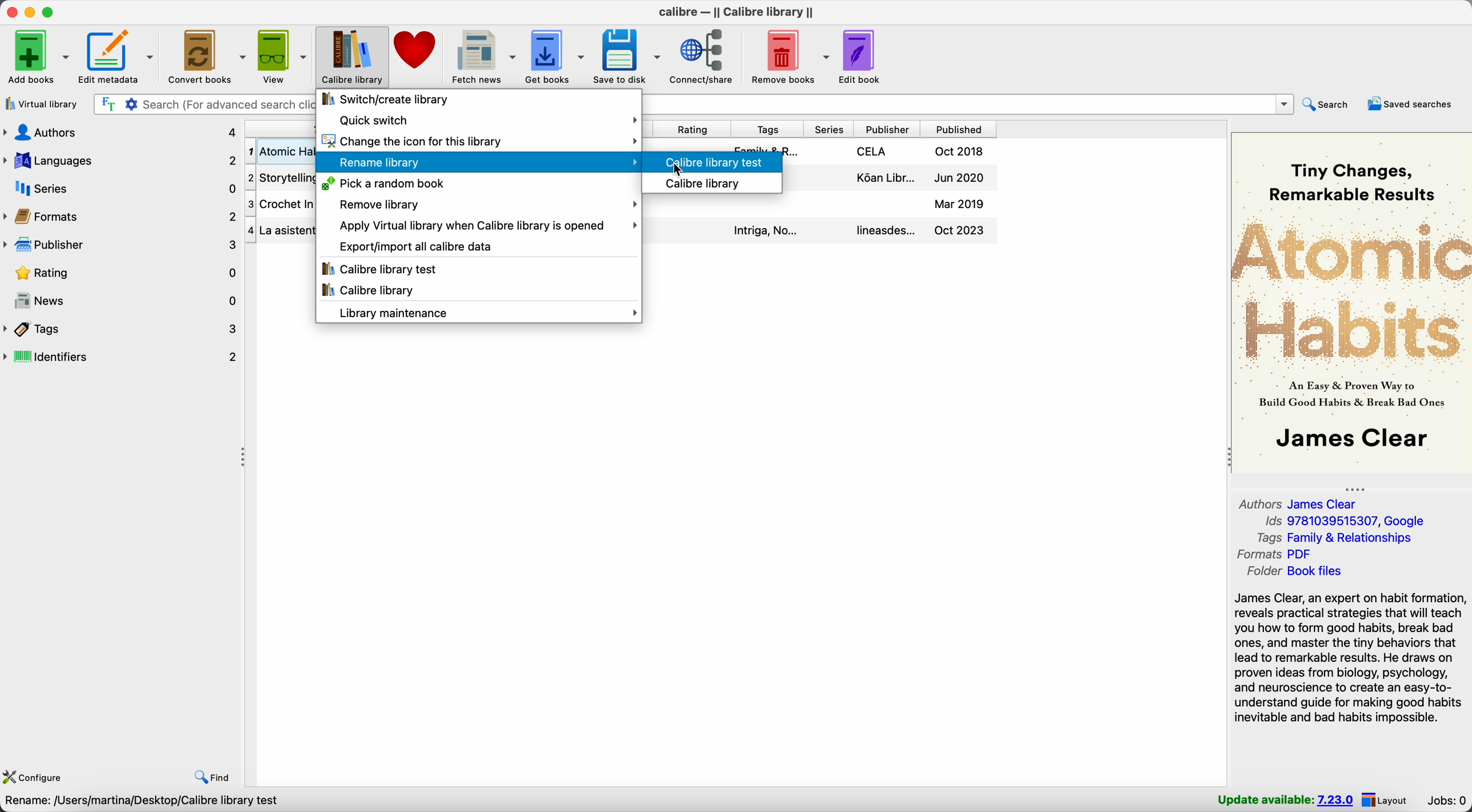 The width and height of the screenshot is (1472, 812). Describe the element at coordinates (10, 13) in the screenshot. I see `close Calibre` at that location.